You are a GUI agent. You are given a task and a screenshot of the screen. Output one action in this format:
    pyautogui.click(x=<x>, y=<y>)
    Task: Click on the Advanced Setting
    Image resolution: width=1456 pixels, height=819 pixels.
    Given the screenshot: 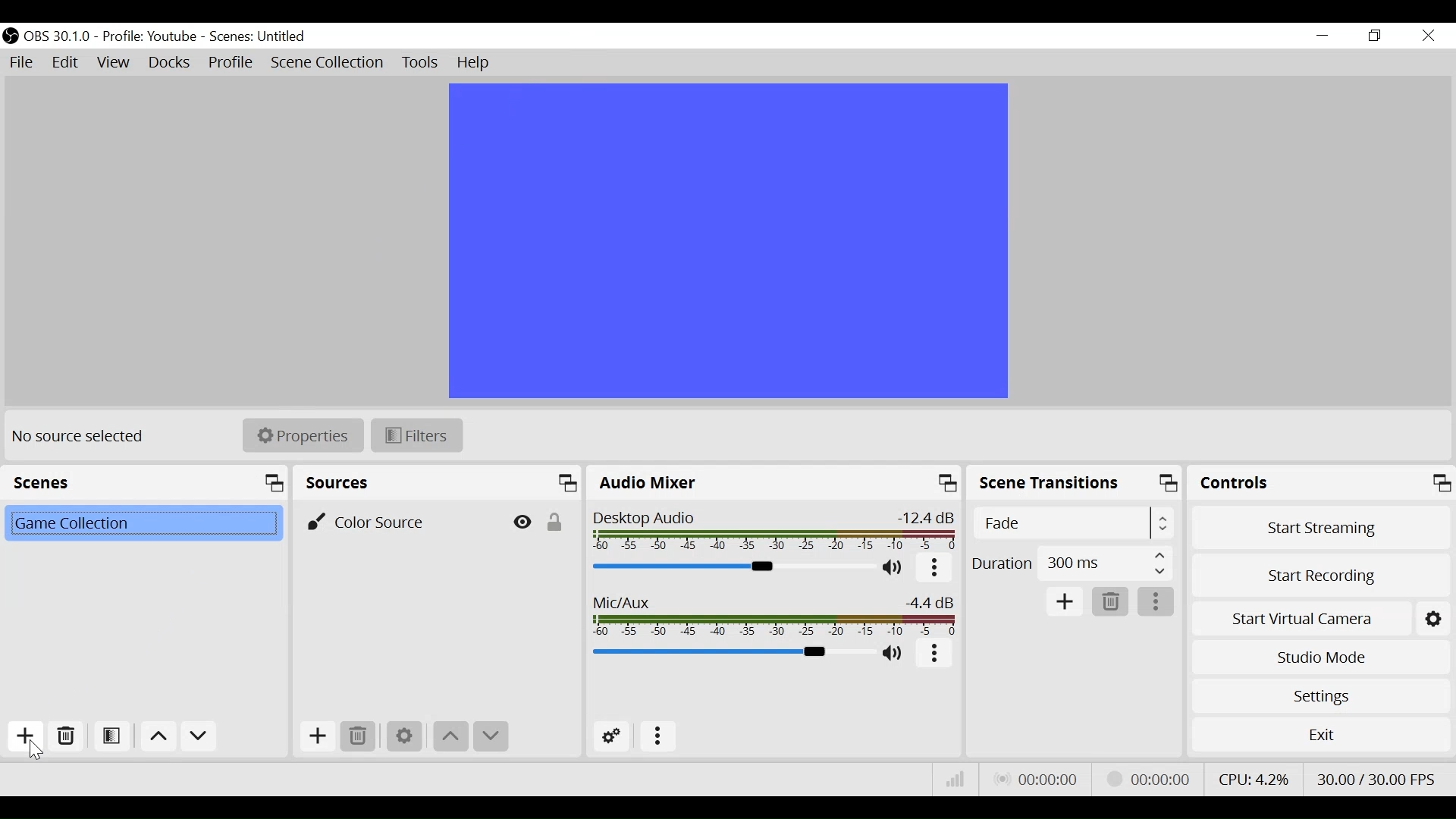 What is the action you would take?
    pyautogui.click(x=612, y=736)
    